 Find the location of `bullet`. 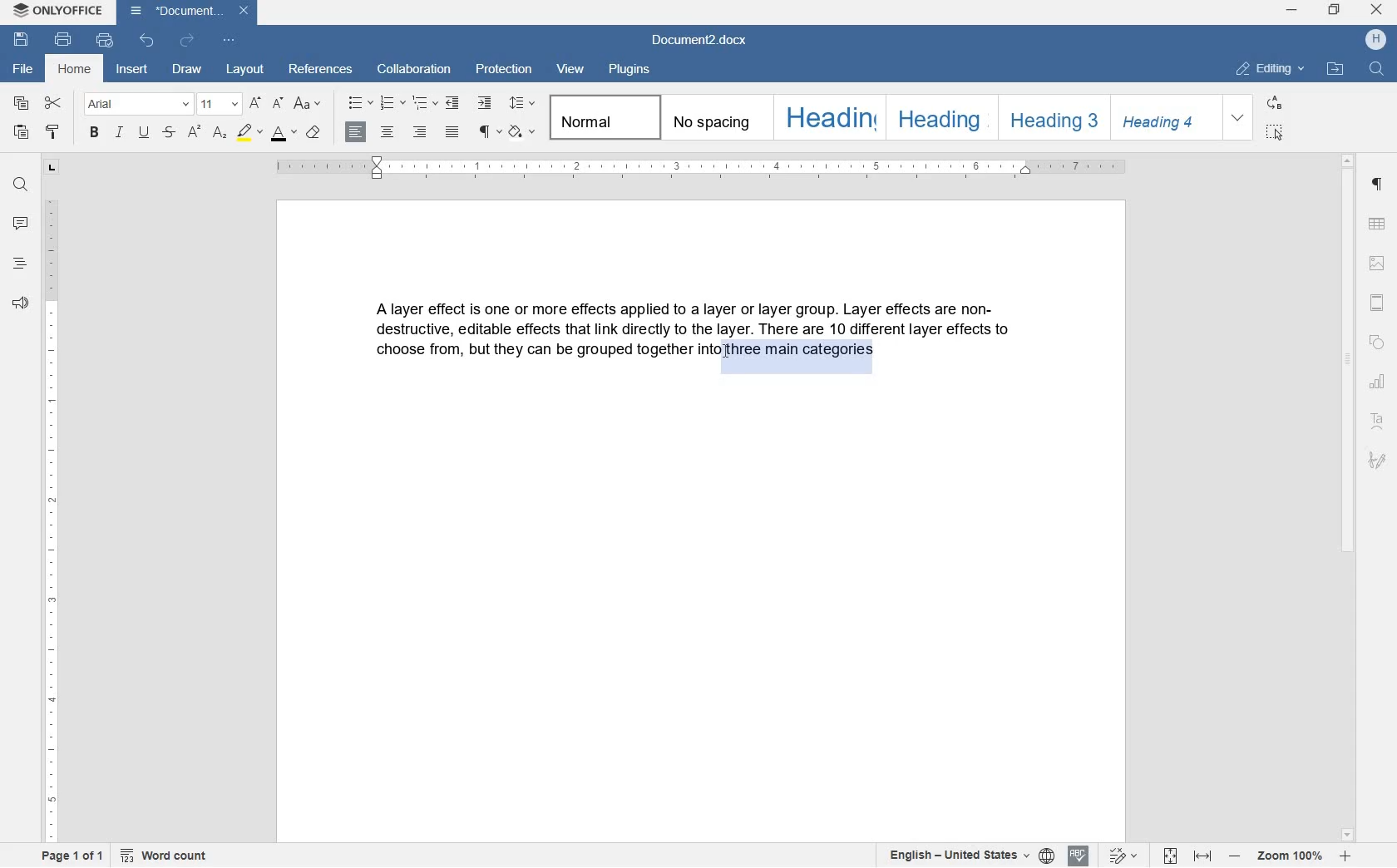

bullet is located at coordinates (359, 103).